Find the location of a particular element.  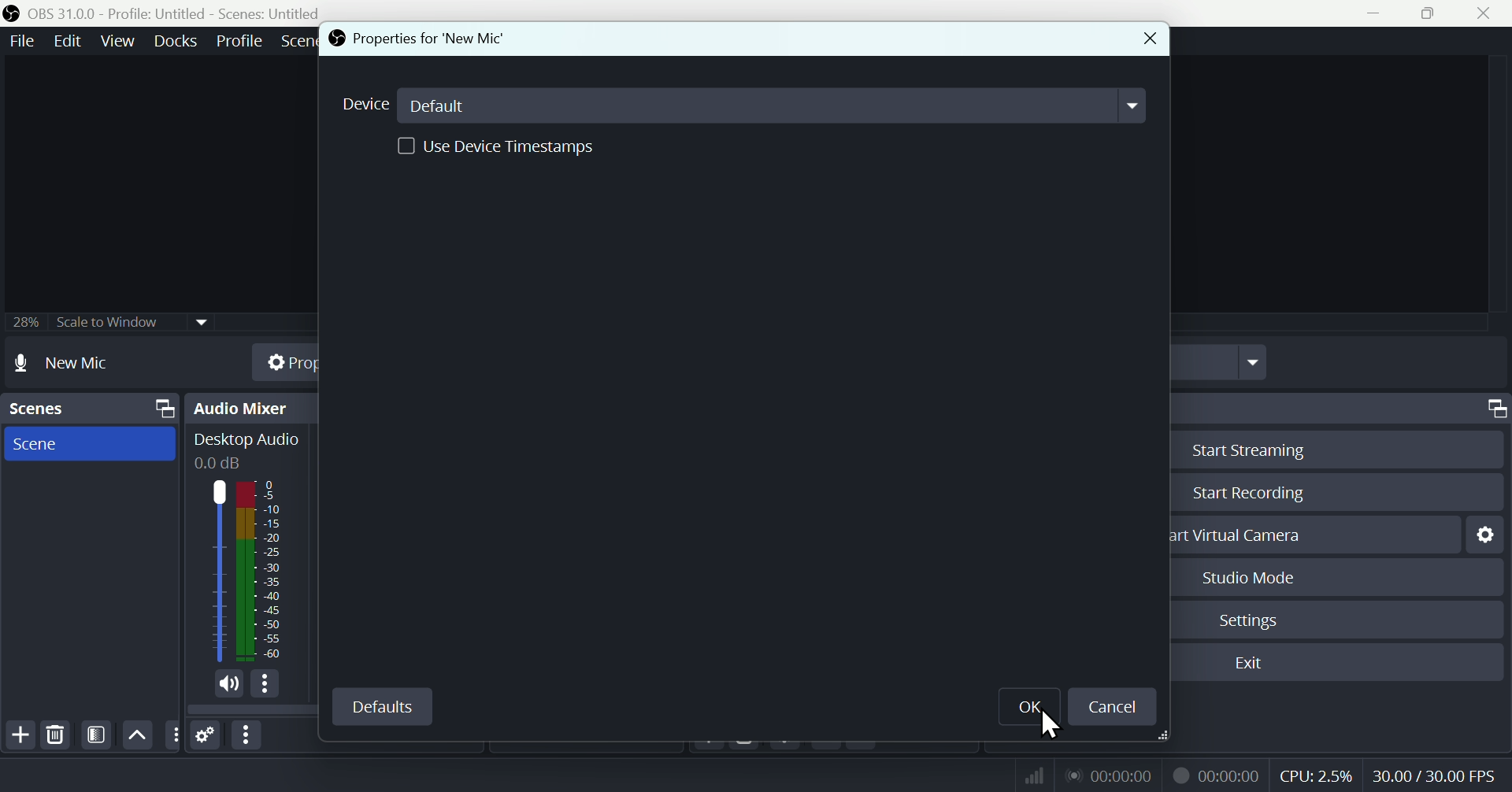

More options is located at coordinates (248, 735).